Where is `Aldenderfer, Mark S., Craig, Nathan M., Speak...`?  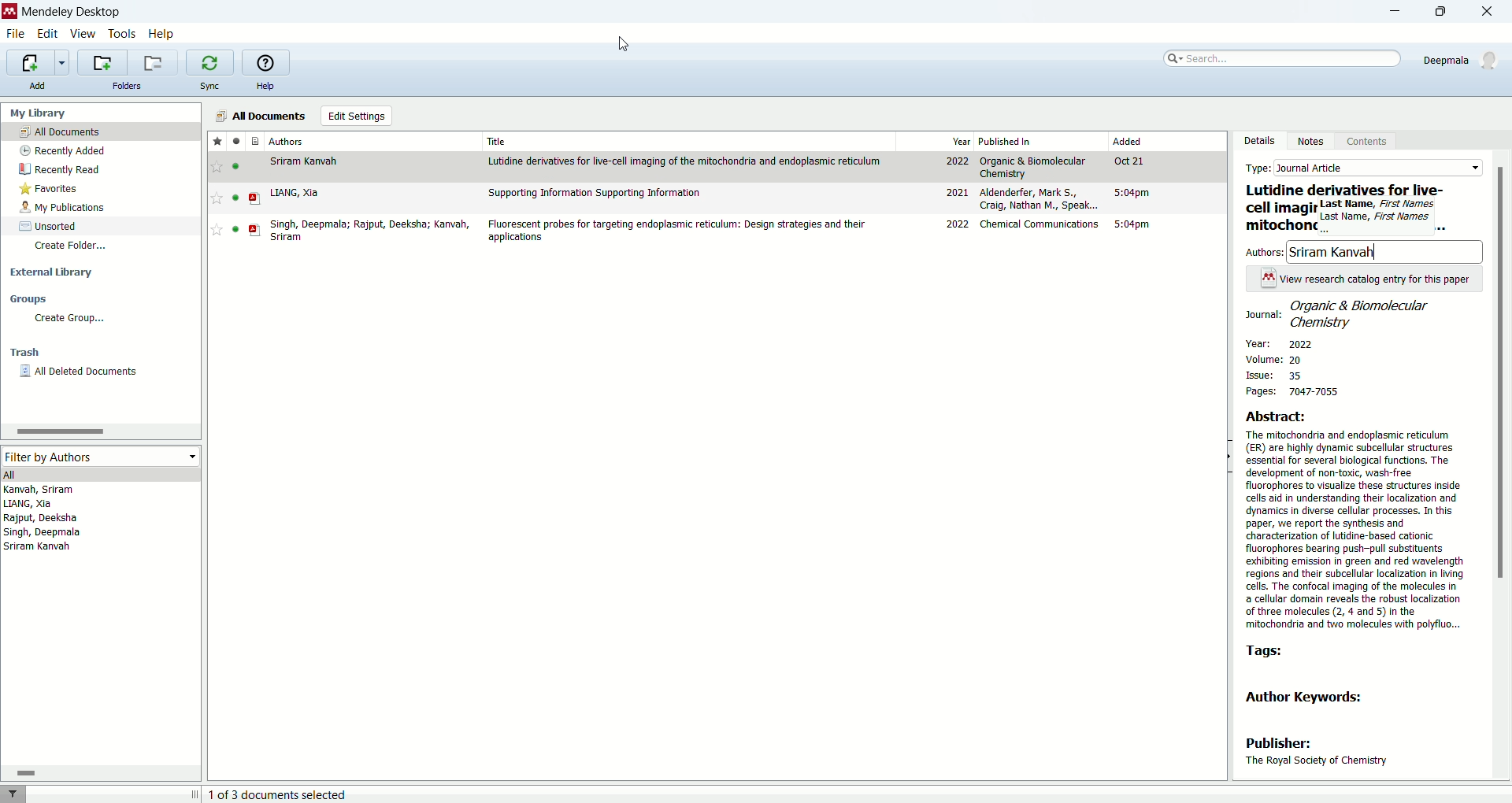 Aldenderfer, Mark S., Craig, Nathan M., Speak... is located at coordinates (1040, 200).